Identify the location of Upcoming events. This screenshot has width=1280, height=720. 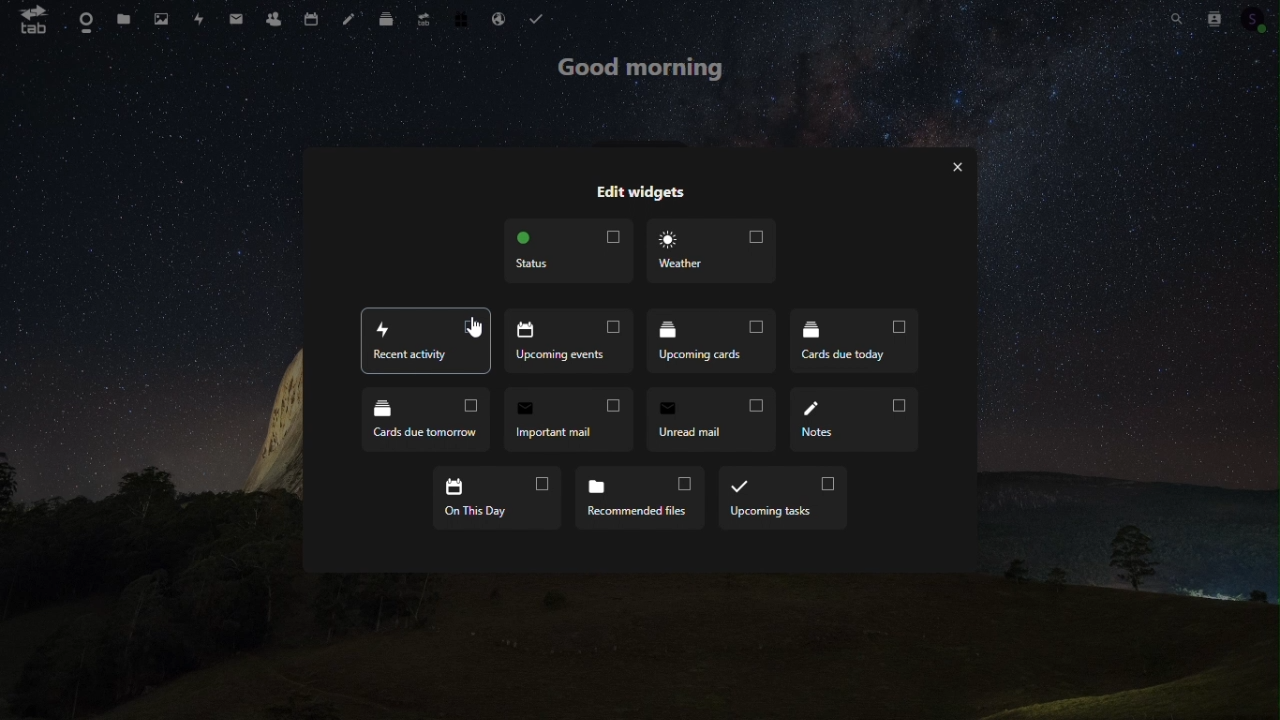
(426, 343).